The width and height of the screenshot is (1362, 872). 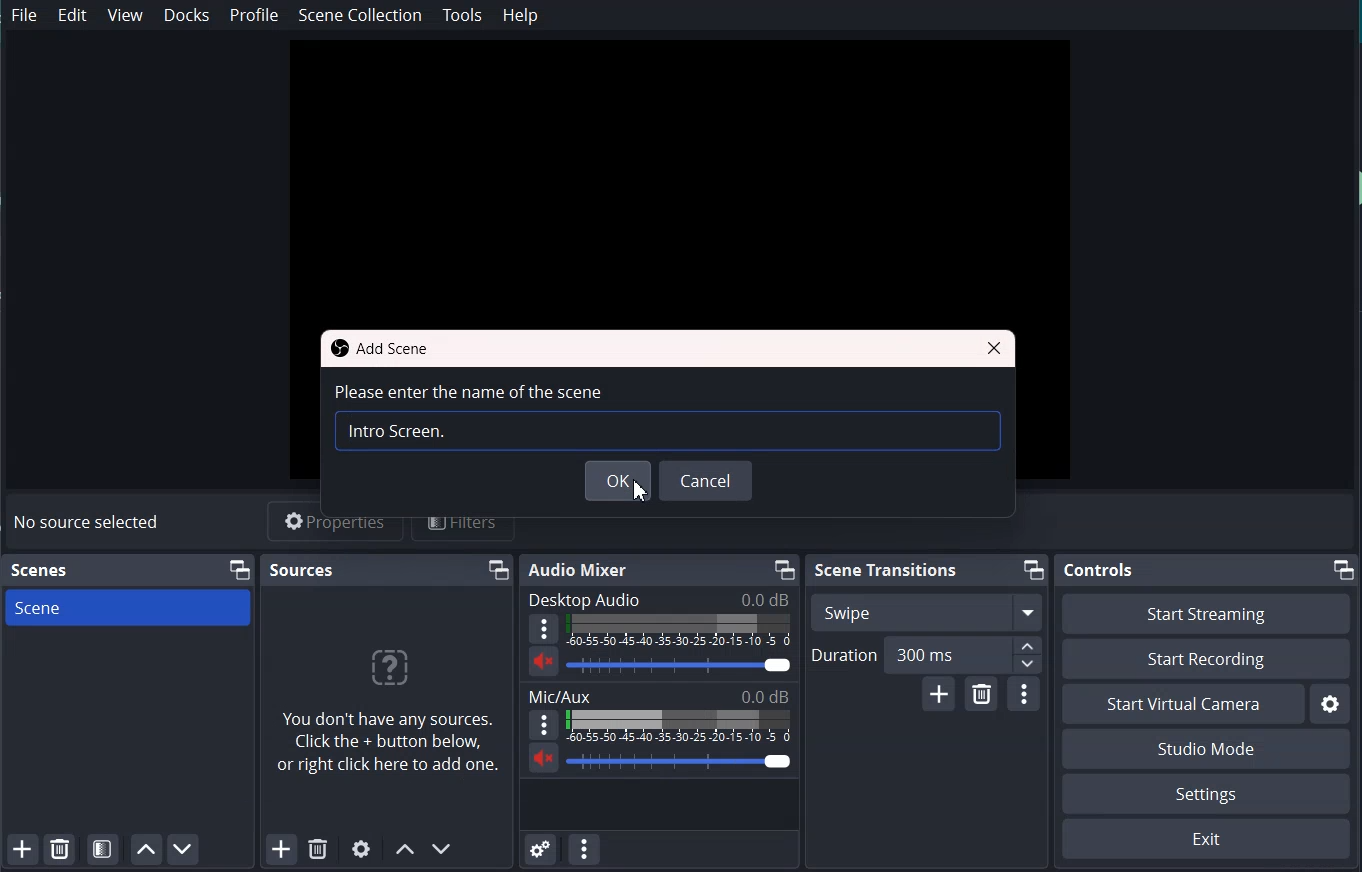 I want to click on Text, so click(x=90, y=523).